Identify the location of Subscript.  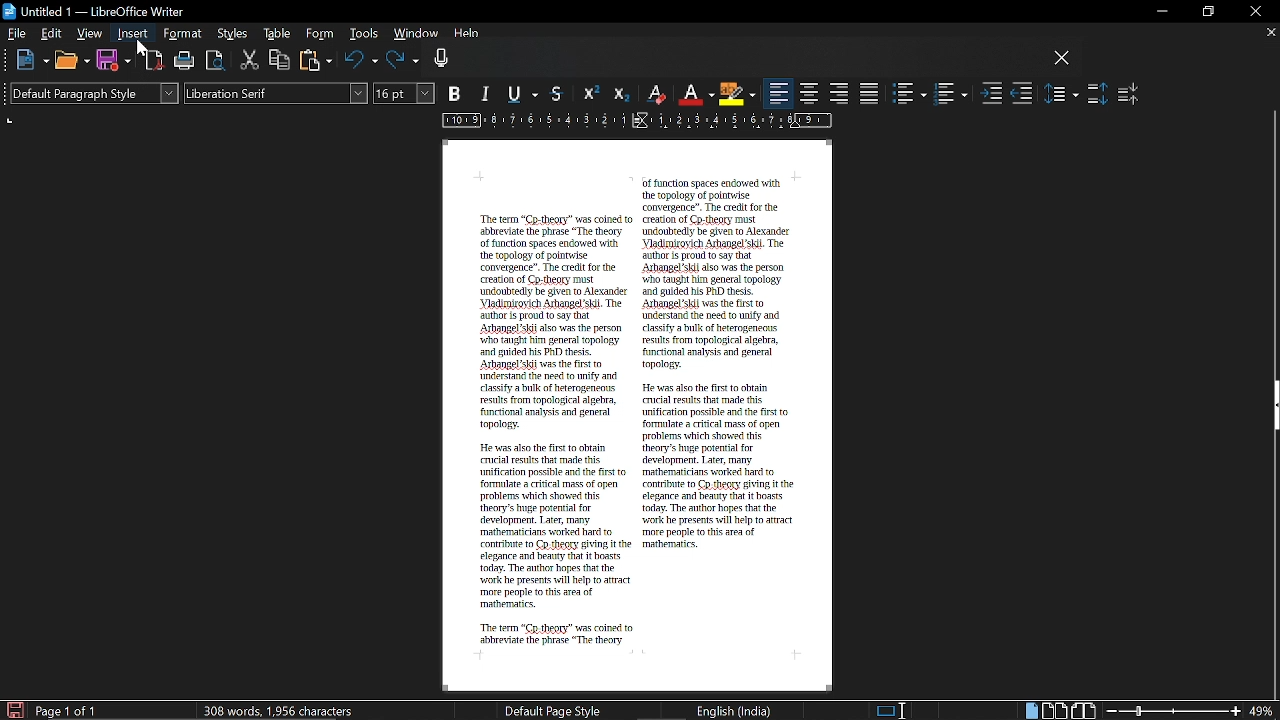
(619, 94).